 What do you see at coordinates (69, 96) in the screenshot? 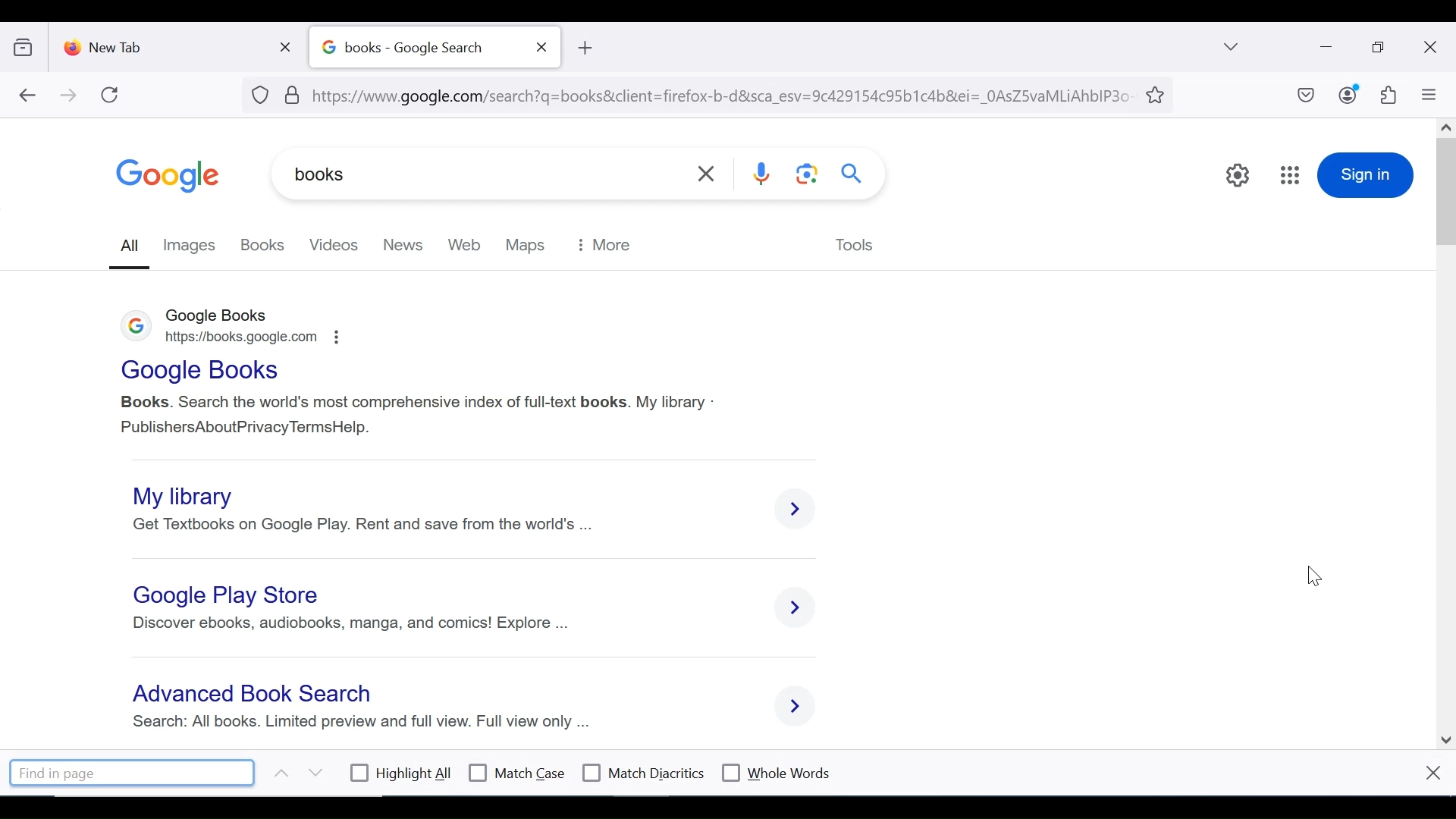
I see `forward` at bounding box center [69, 96].